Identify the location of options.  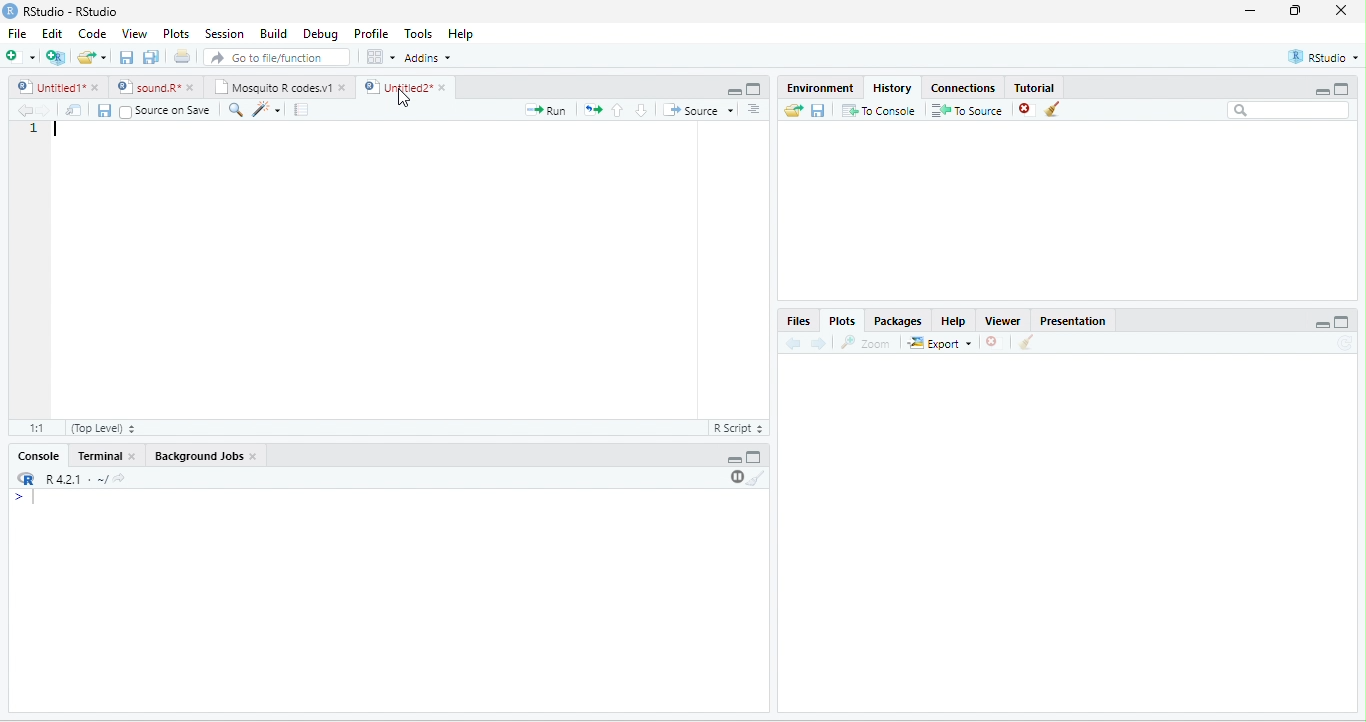
(754, 109).